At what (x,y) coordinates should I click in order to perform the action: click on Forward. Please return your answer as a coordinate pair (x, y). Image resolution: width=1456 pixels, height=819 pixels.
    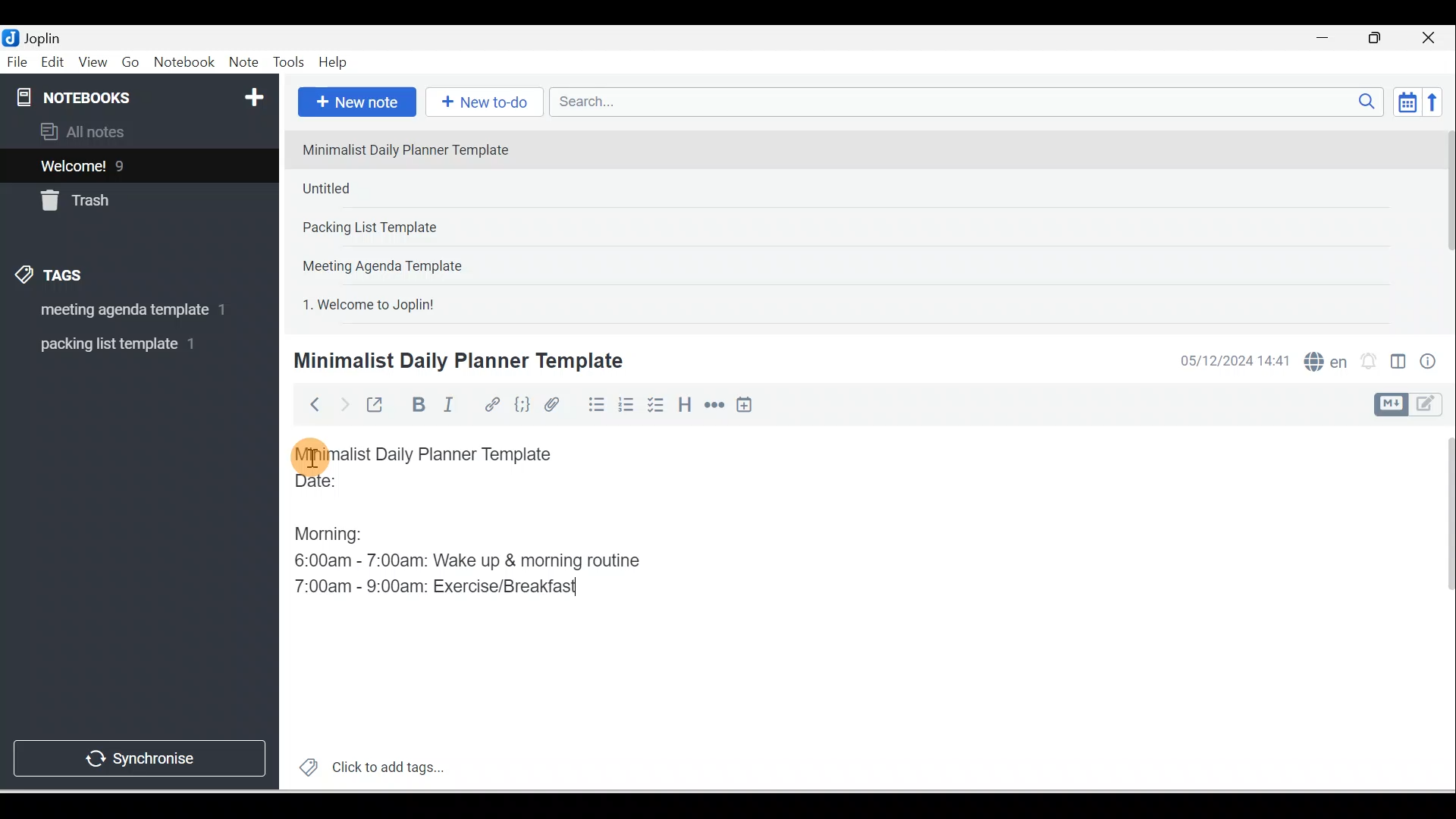
    Looking at the image, I should click on (343, 403).